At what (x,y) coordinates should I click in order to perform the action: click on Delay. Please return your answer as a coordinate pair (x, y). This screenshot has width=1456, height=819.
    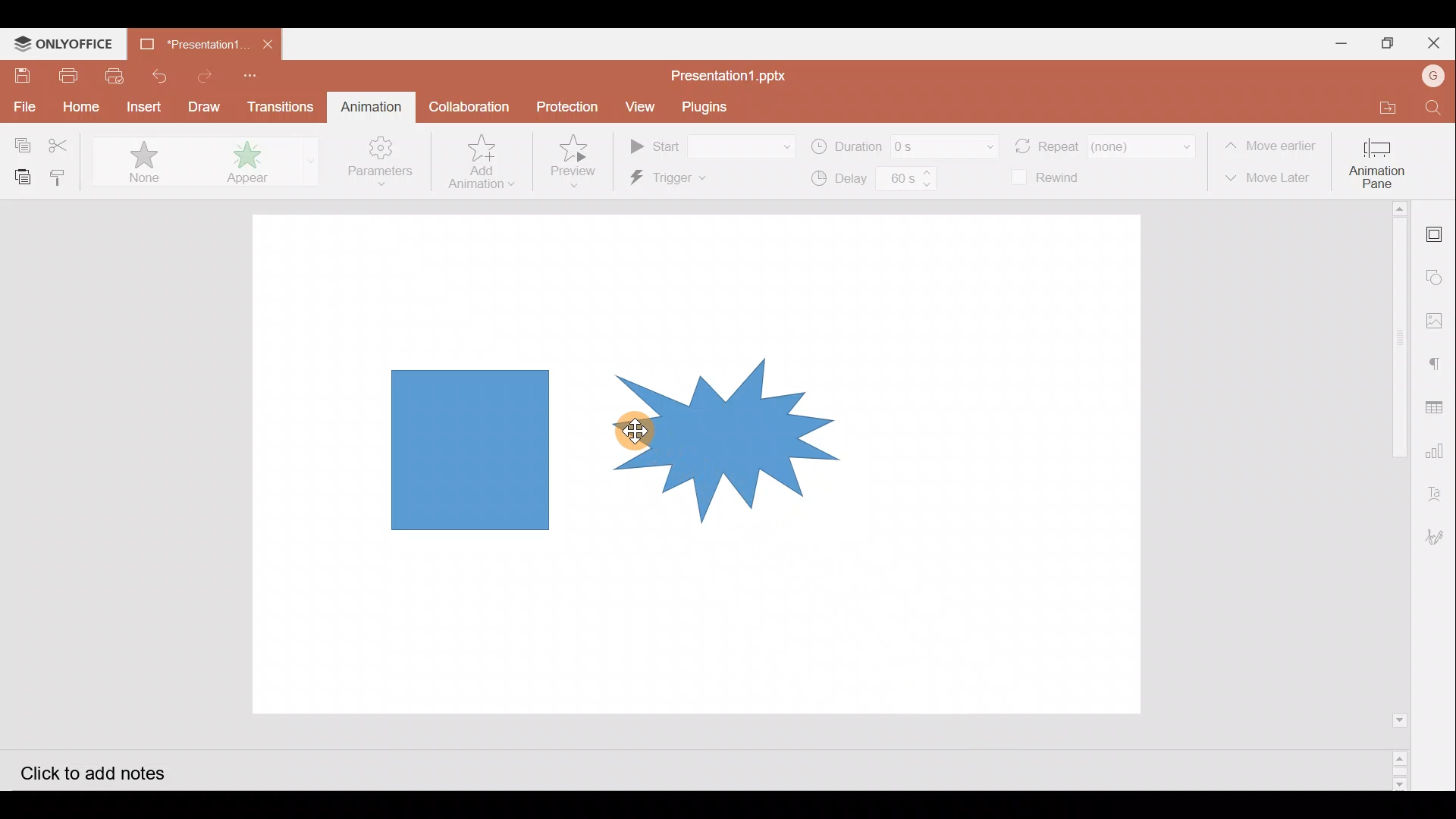
    Looking at the image, I should click on (870, 180).